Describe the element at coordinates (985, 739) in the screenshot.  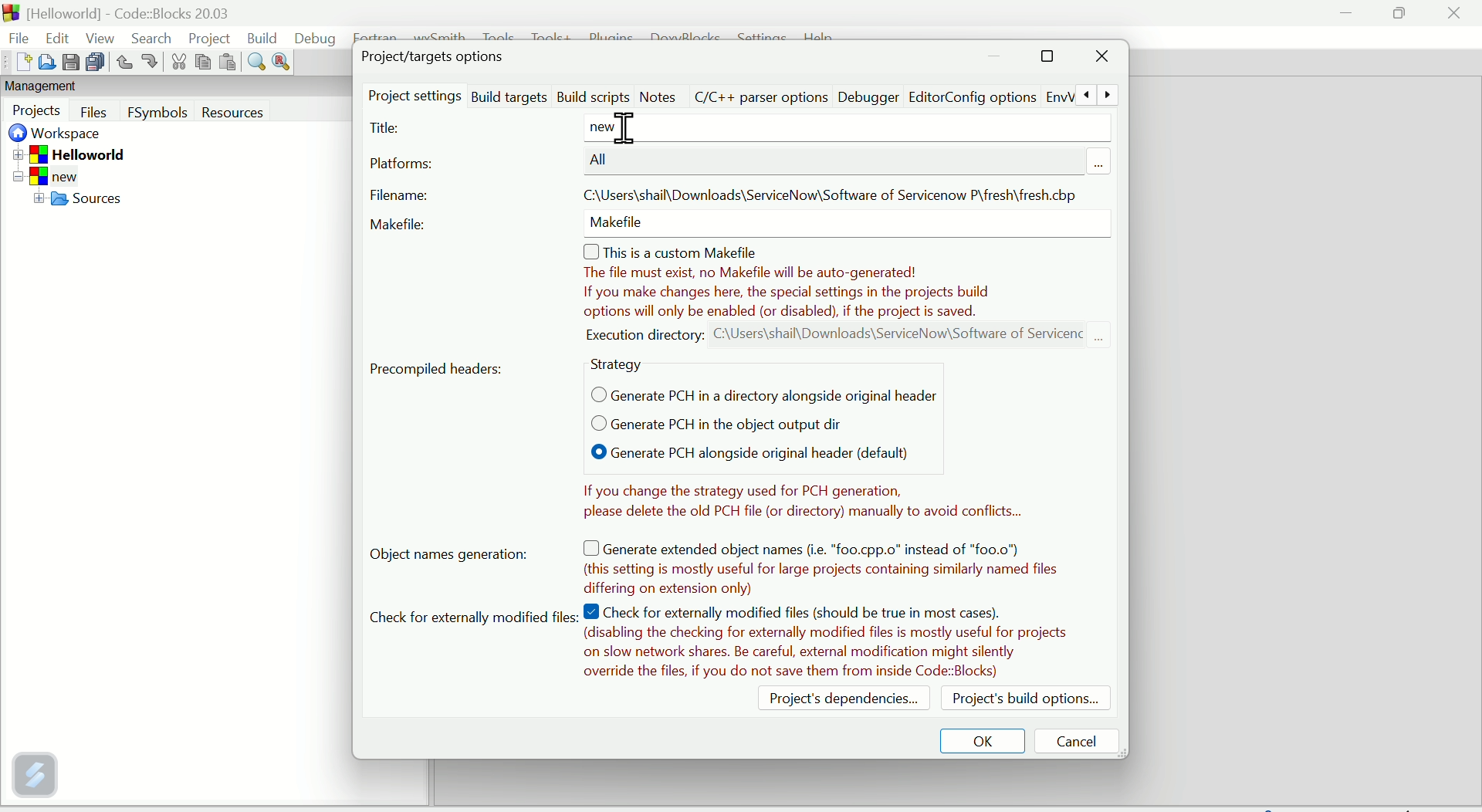
I see `OK` at that location.